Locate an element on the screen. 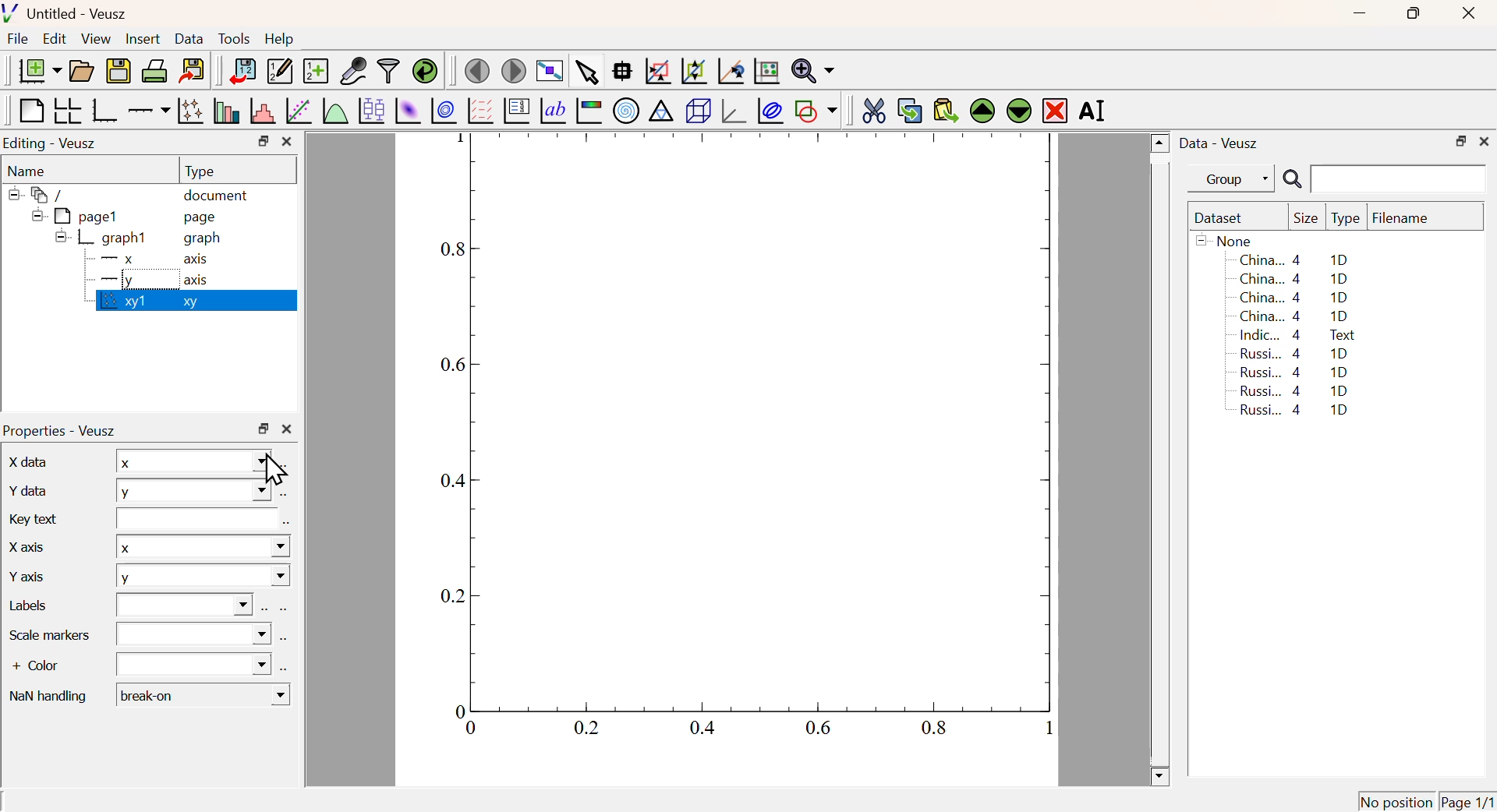 The width and height of the screenshot is (1497, 812). Edit is located at coordinates (55, 37).